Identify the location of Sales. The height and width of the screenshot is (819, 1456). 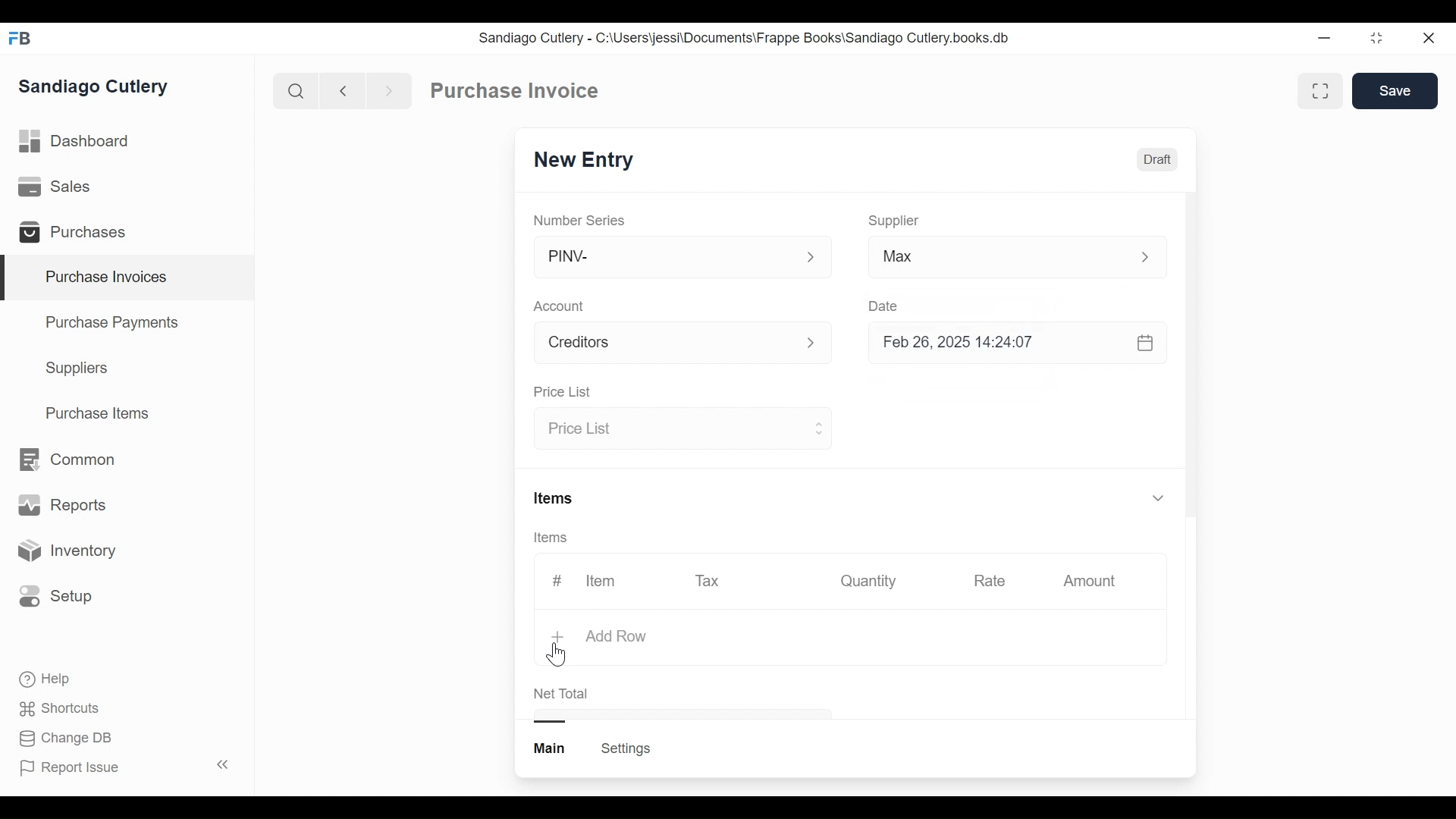
(58, 187).